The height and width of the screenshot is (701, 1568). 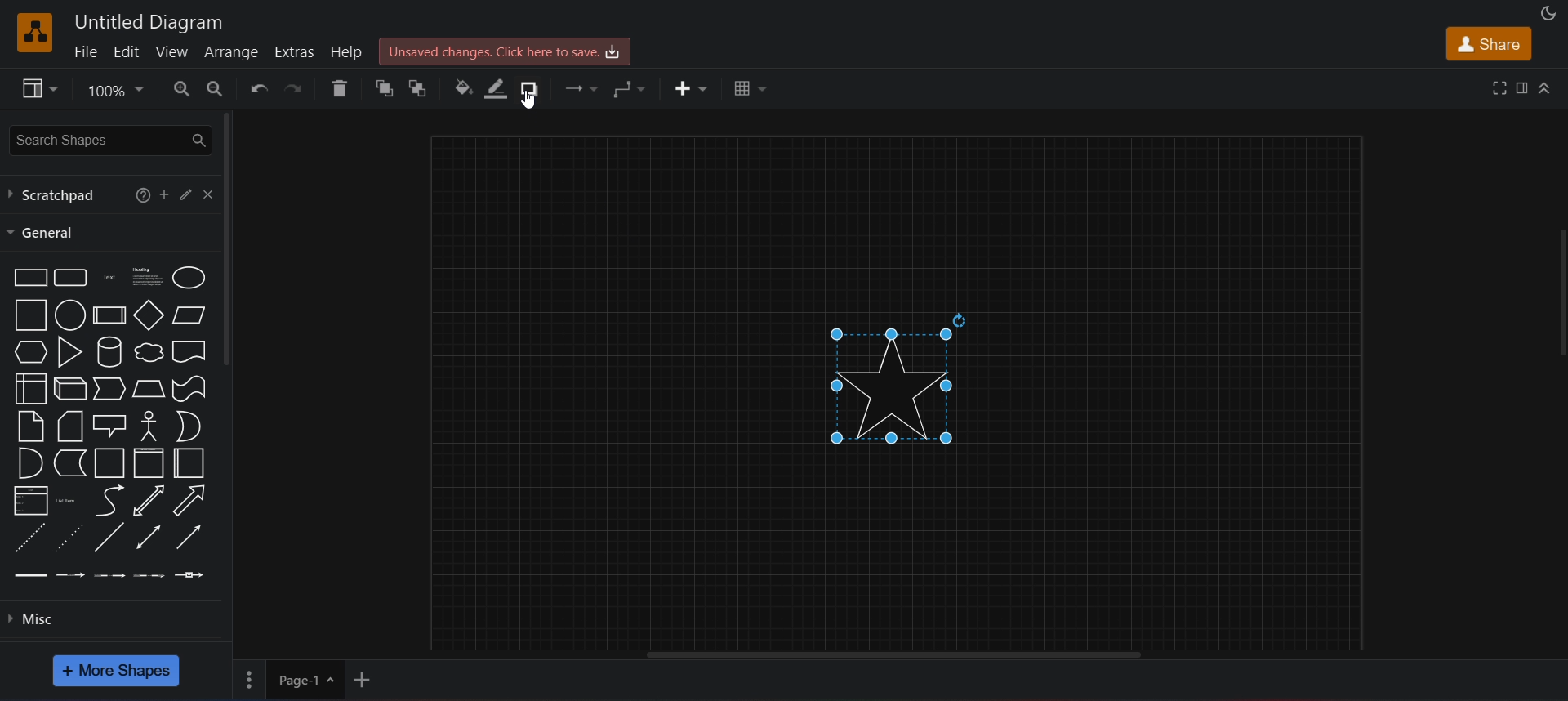 What do you see at coordinates (1548, 87) in the screenshot?
I see `collapse/expand` at bounding box center [1548, 87].